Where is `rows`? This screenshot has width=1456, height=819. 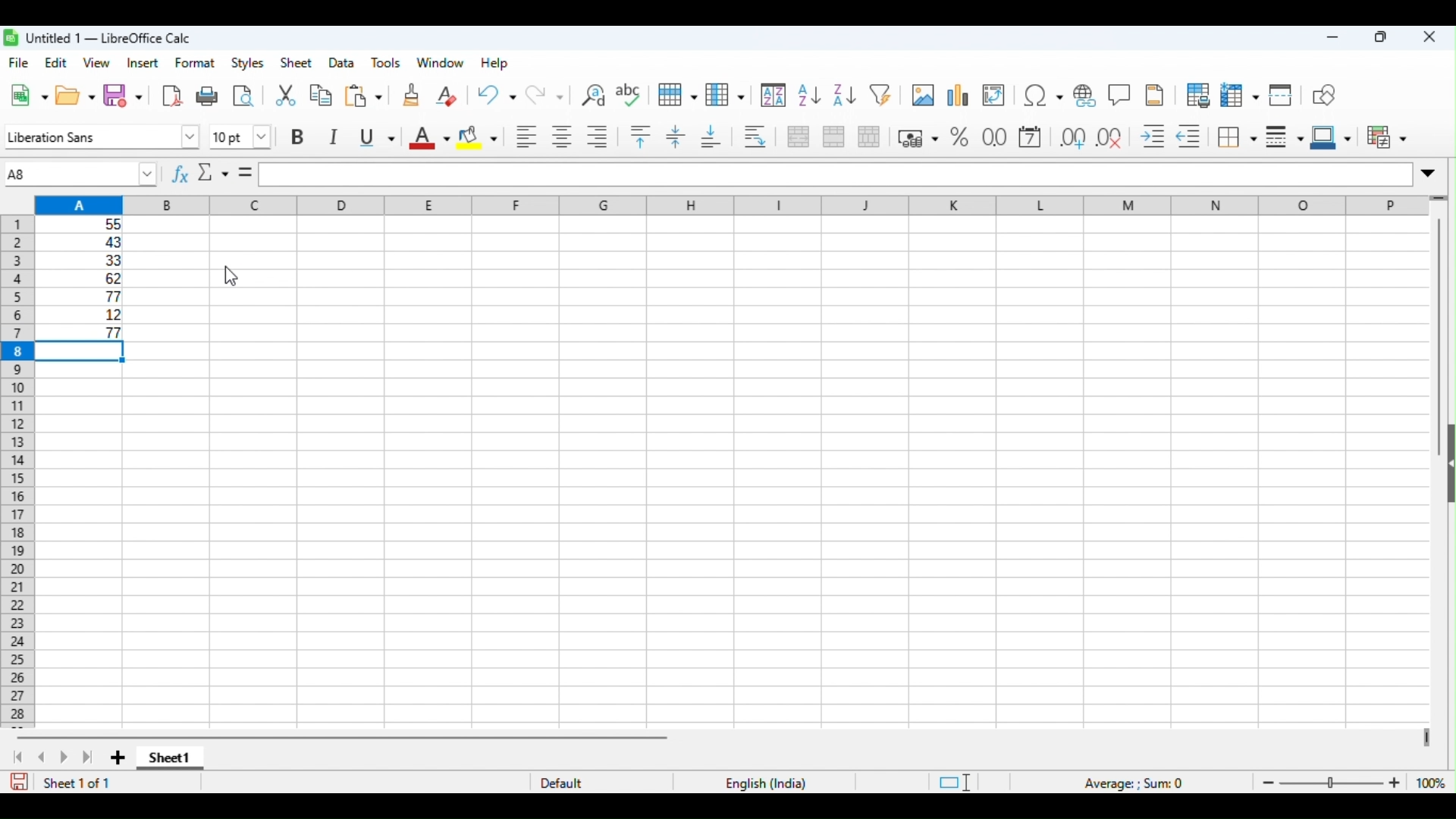
rows is located at coordinates (678, 96).